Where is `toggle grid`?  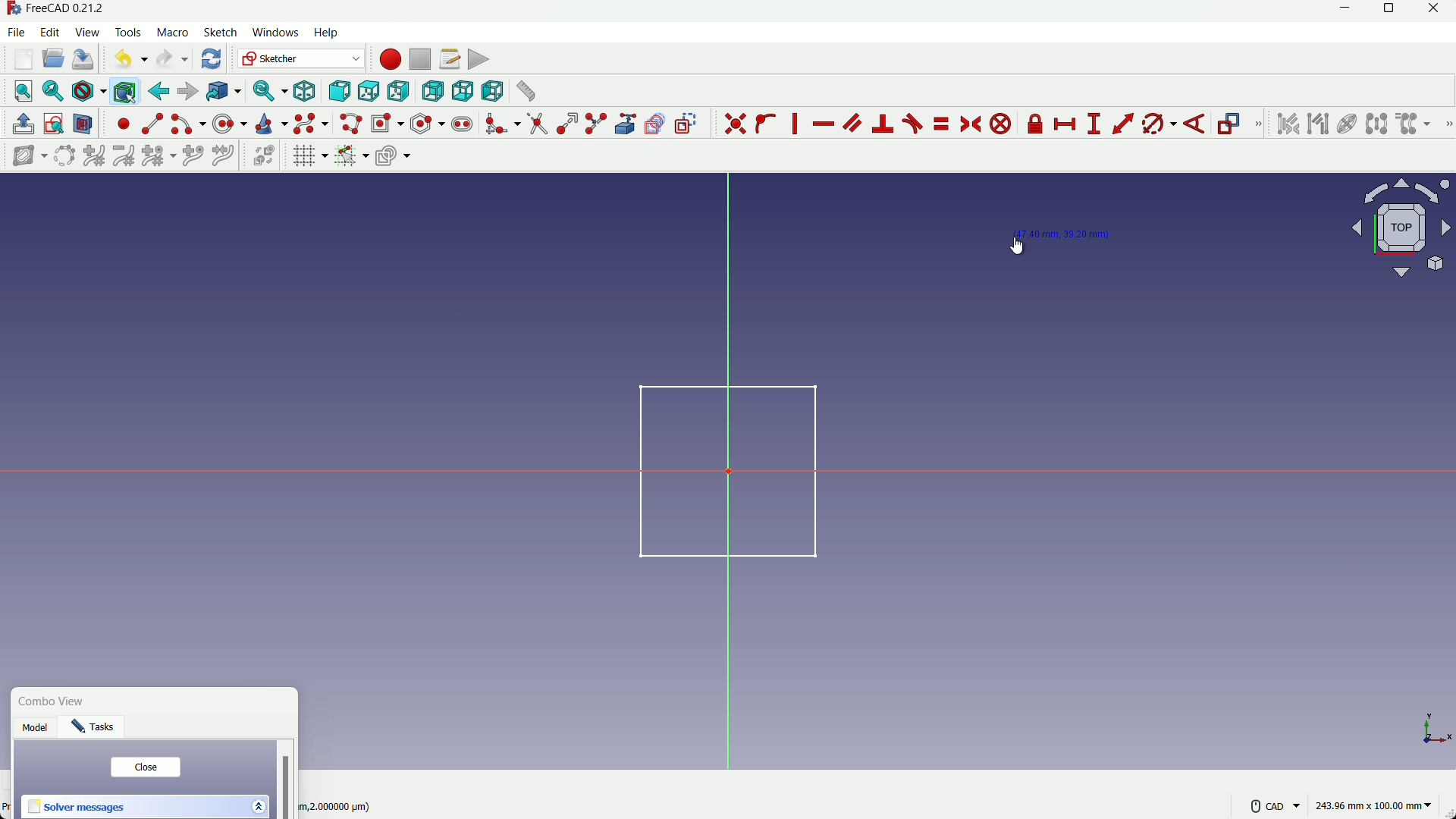 toggle grid is located at coordinates (309, 155).